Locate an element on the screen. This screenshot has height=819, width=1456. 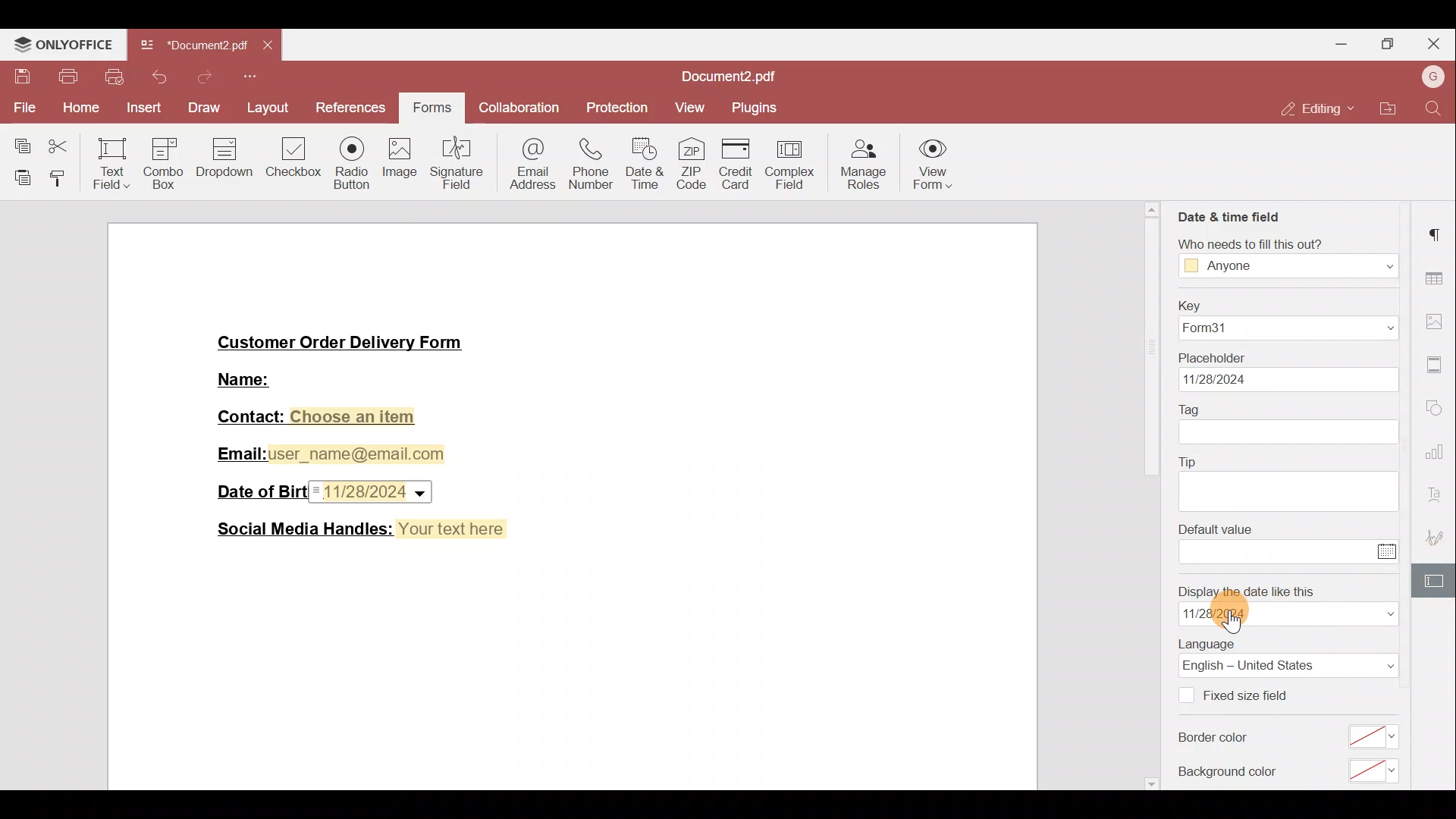
ONLYOFFICE is located at coordinates (63, 42).